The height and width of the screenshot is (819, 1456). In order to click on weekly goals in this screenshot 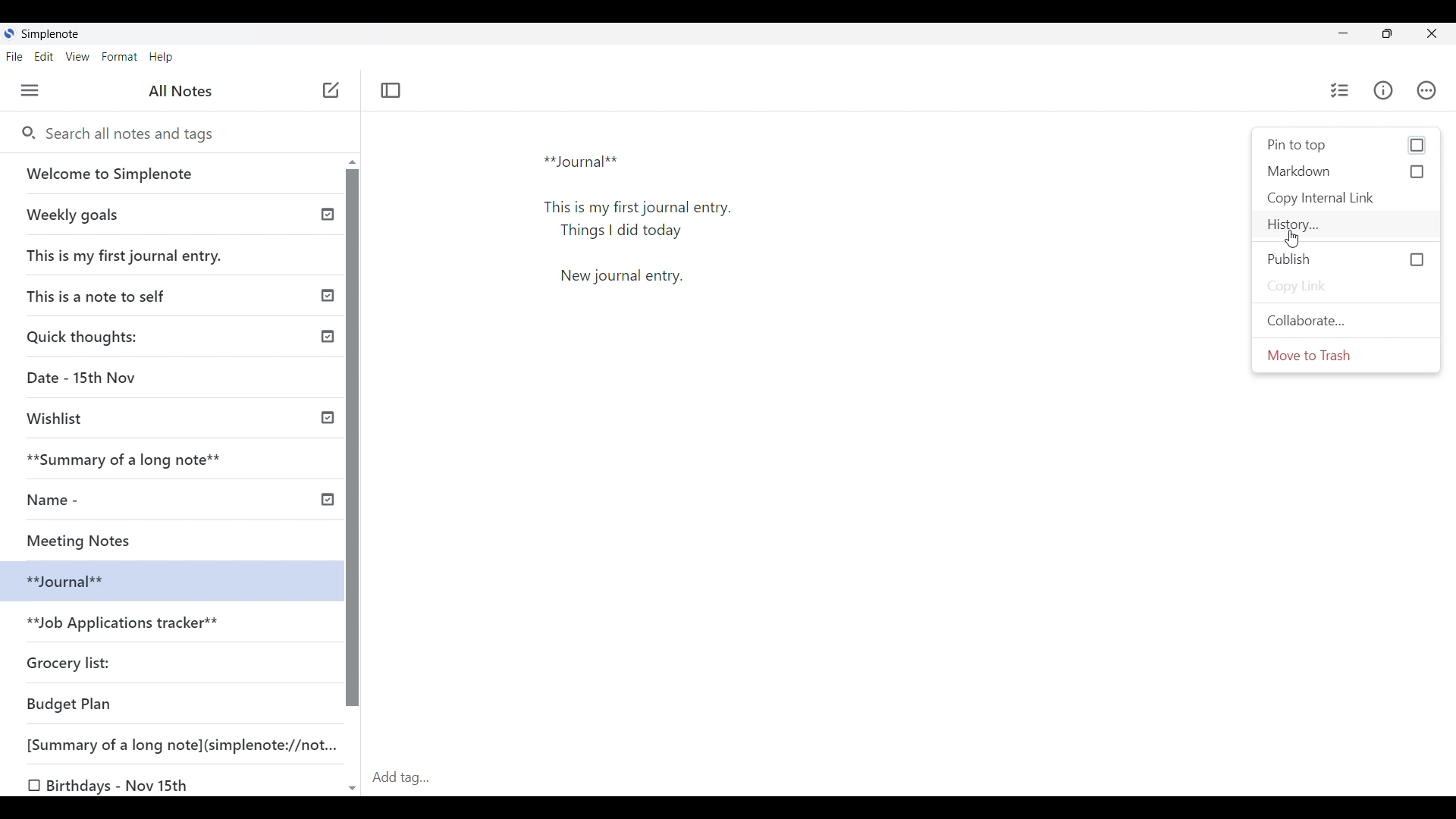, I will do `click(170, 214)`.